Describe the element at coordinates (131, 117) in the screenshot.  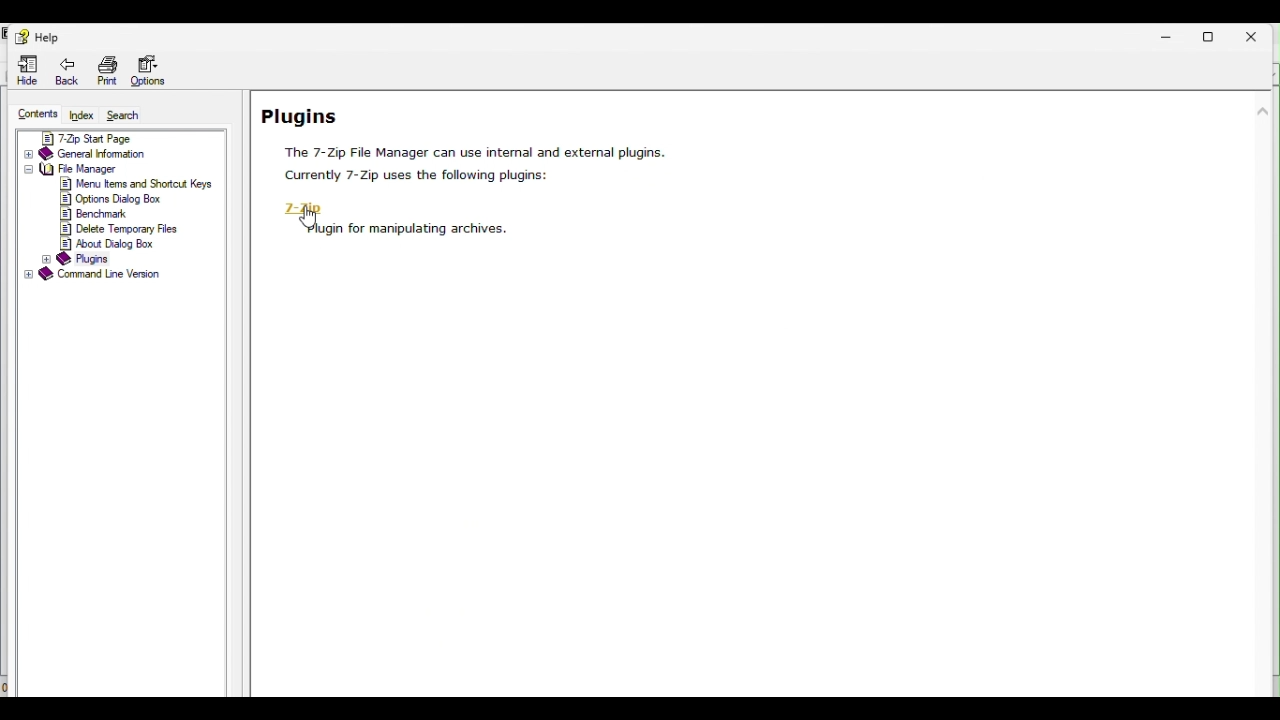
I see `search` at that location.